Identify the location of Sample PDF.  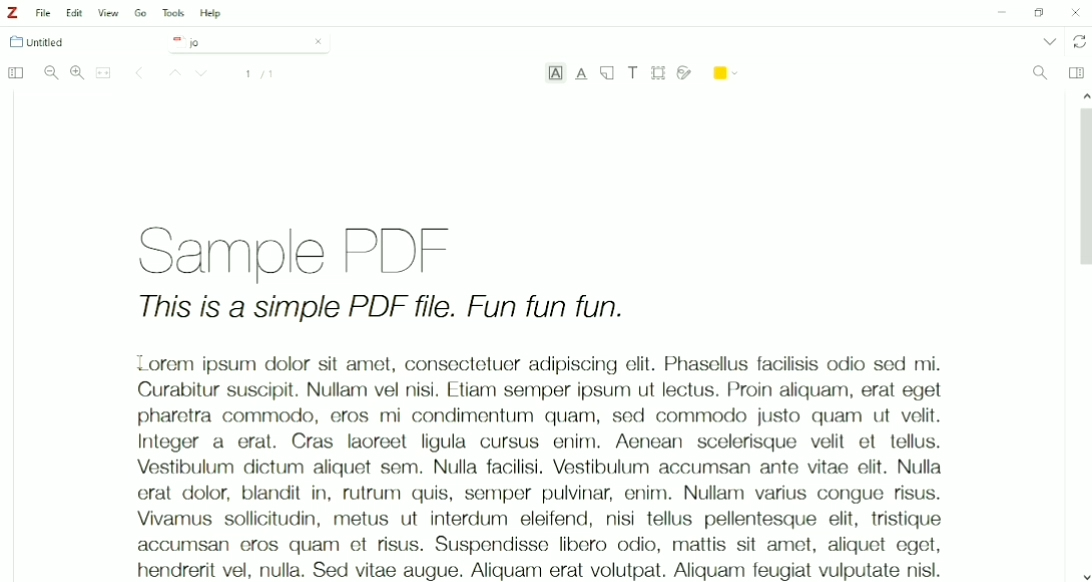
(318, 248).